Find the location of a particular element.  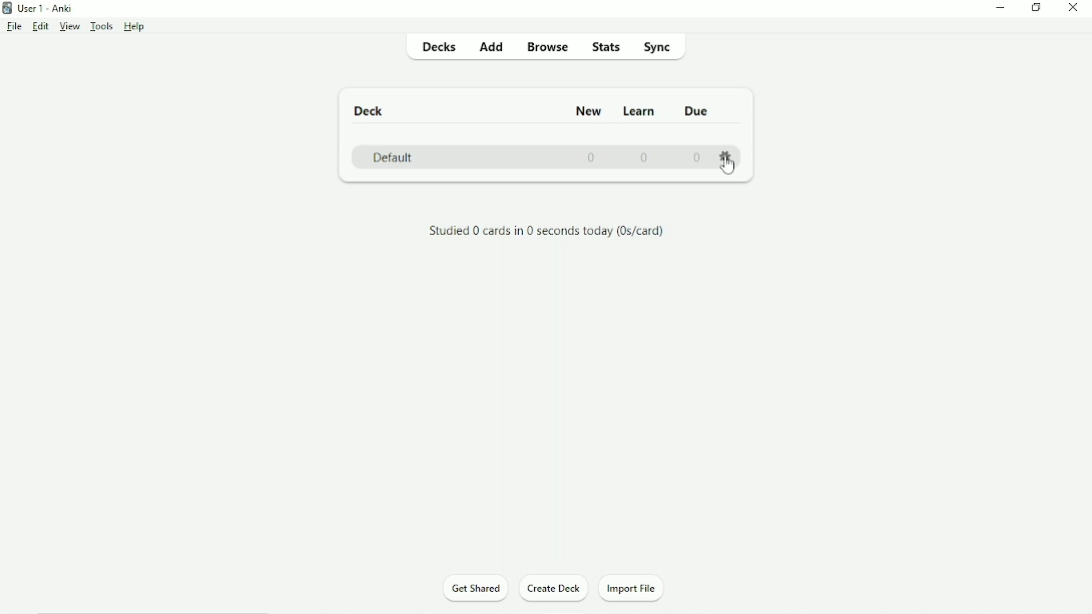

0 is located at coordinates (644, 157).